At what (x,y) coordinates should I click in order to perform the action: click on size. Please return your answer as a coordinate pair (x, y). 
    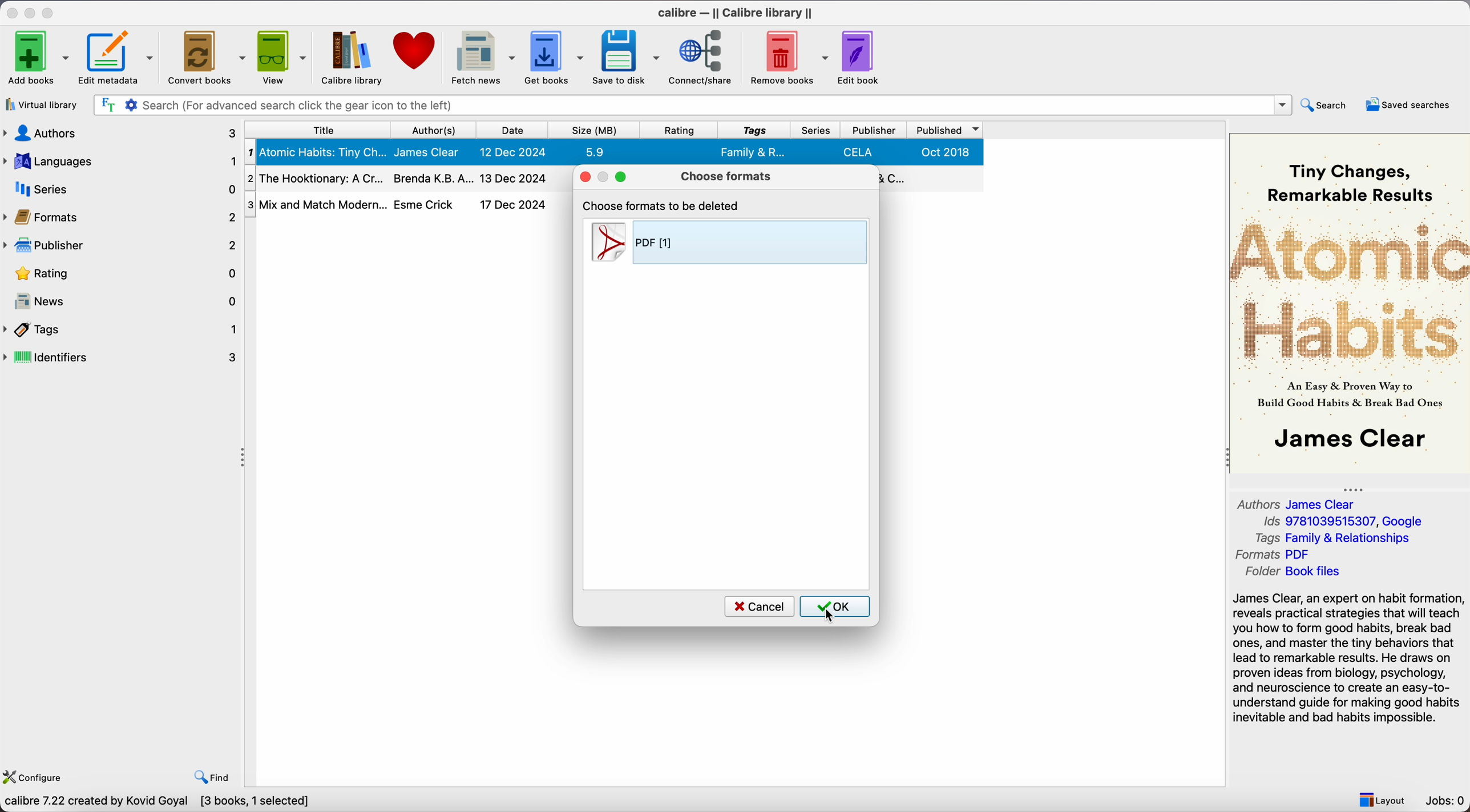
    Looking at the image, I should click on (596, 130).